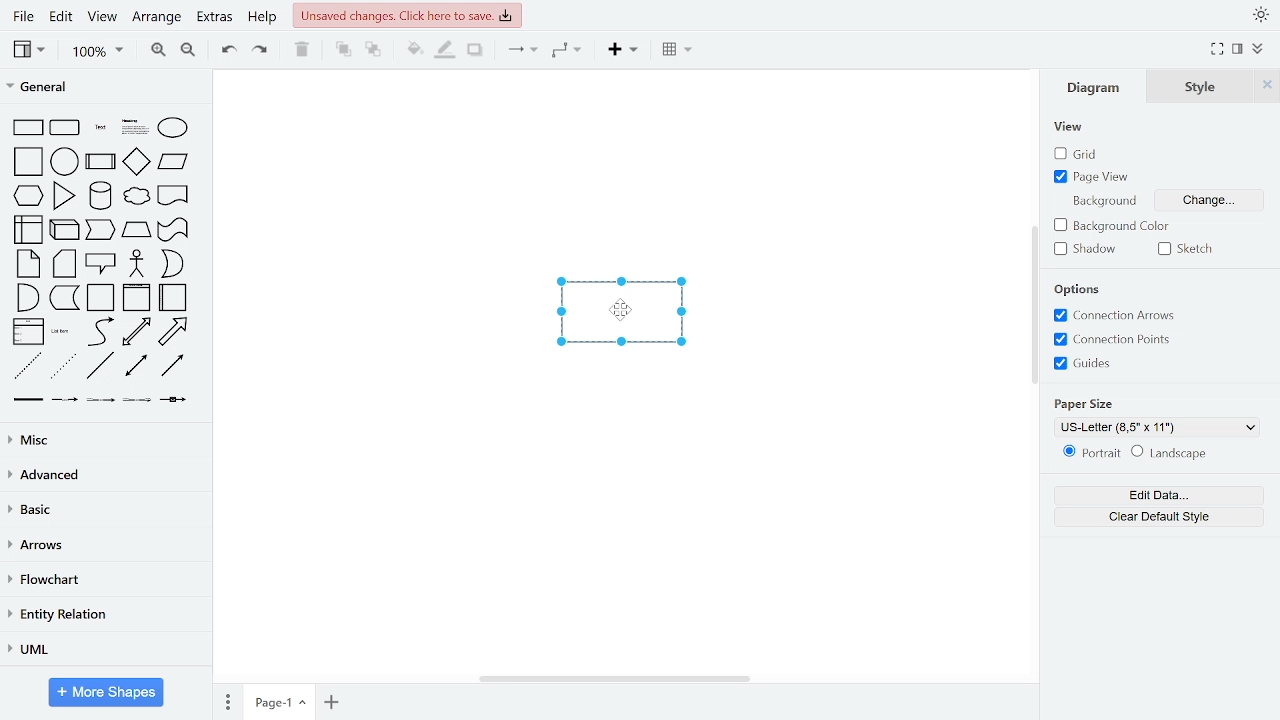  I want to click on text, so click(1104, 200).